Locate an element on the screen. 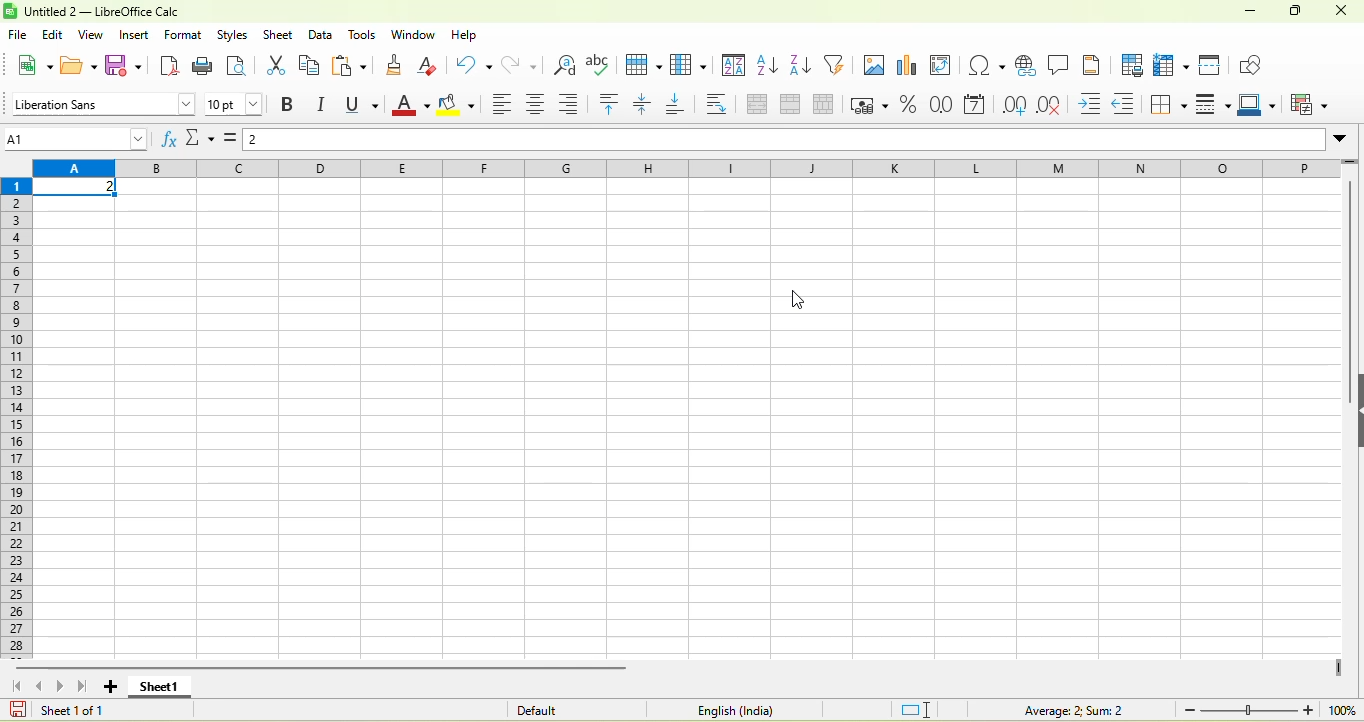  increase indent is located at coordinates (1097, 105).